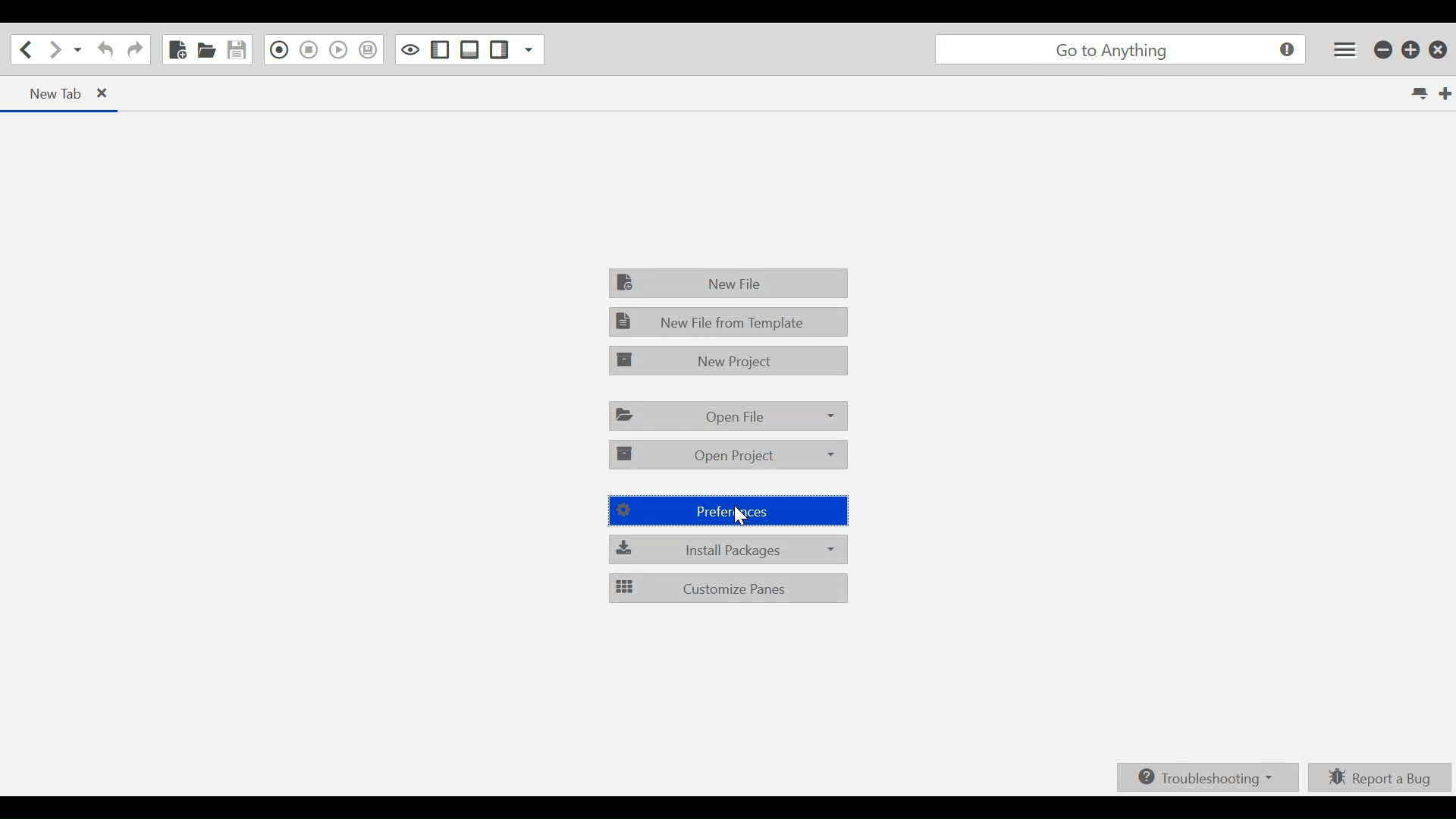  I want to click on Close, so click(1439, 50).